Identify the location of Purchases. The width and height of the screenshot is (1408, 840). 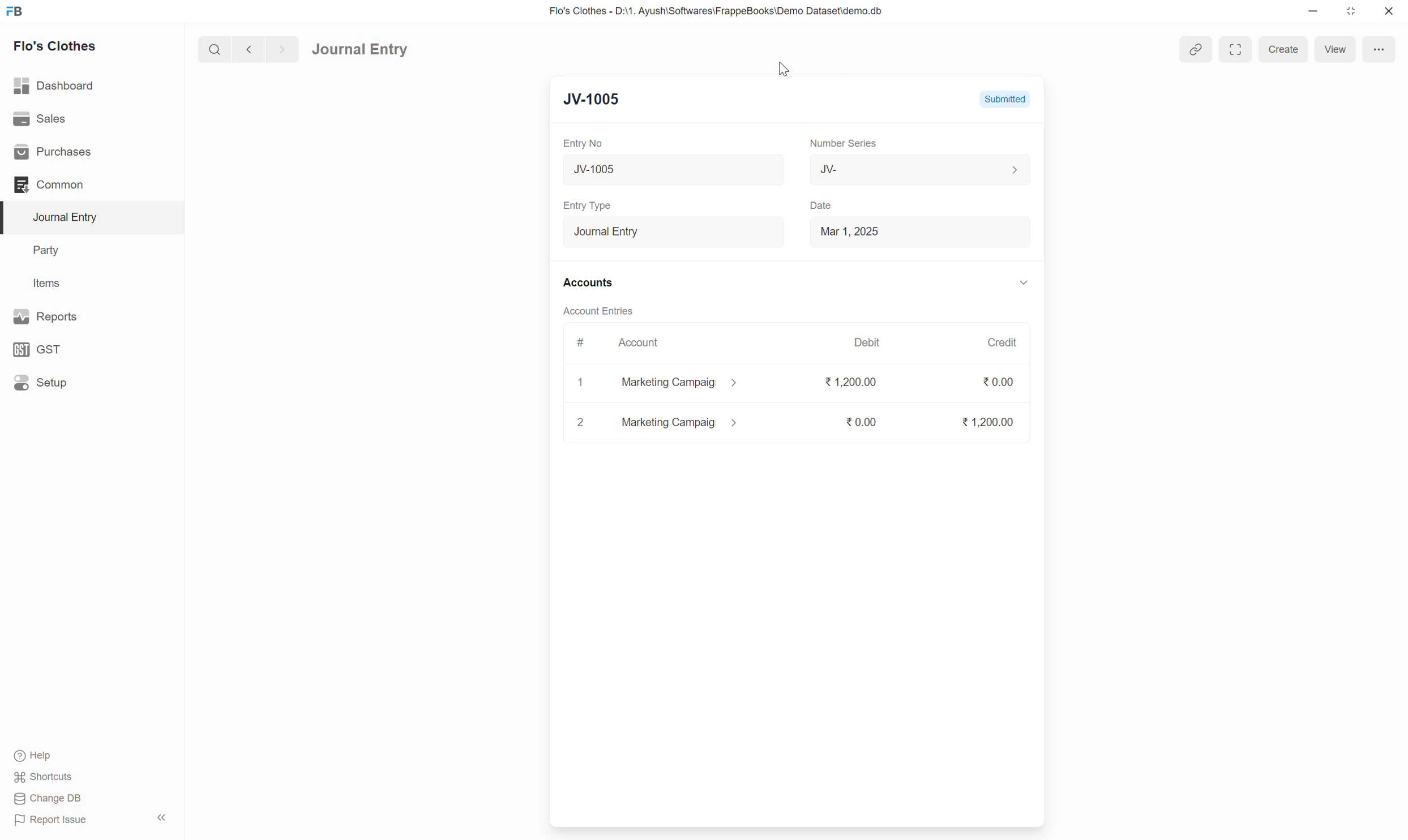
(56, 152).